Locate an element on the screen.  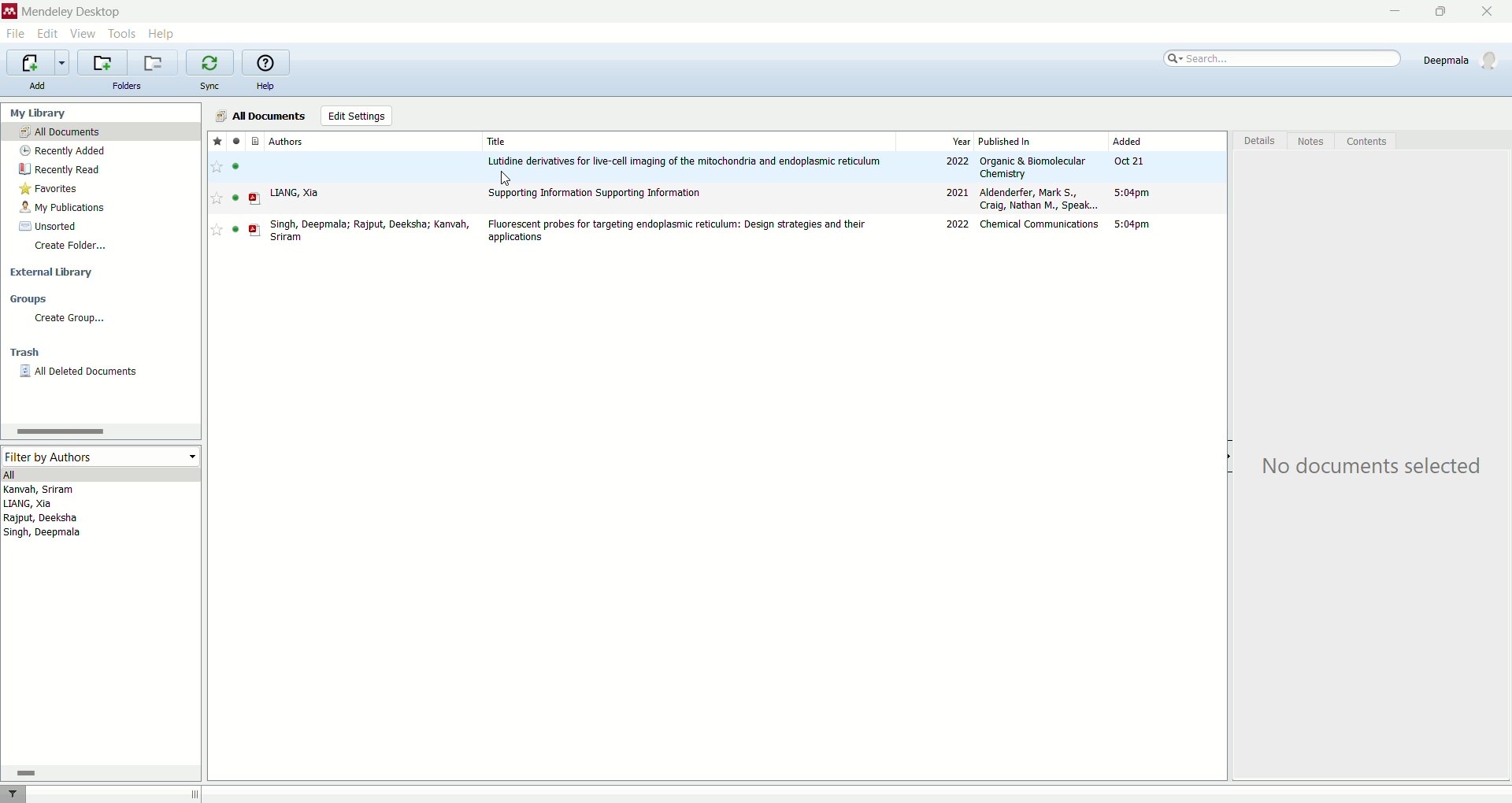
Rajput, Deeksha is located at coordinates (39, 518).